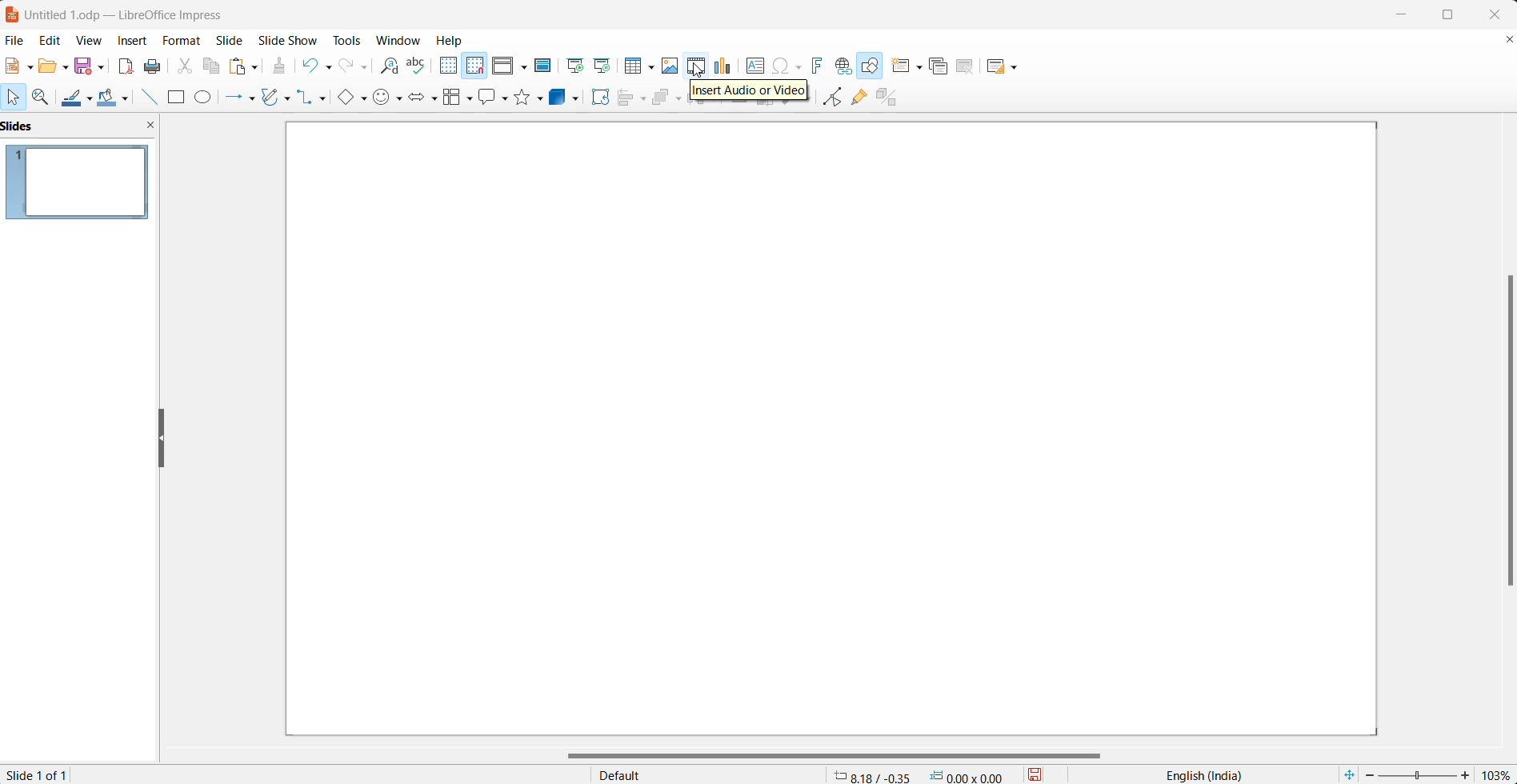  Describe the element at coordinates (14, 40) in the screenshot. I see `file` at that location.